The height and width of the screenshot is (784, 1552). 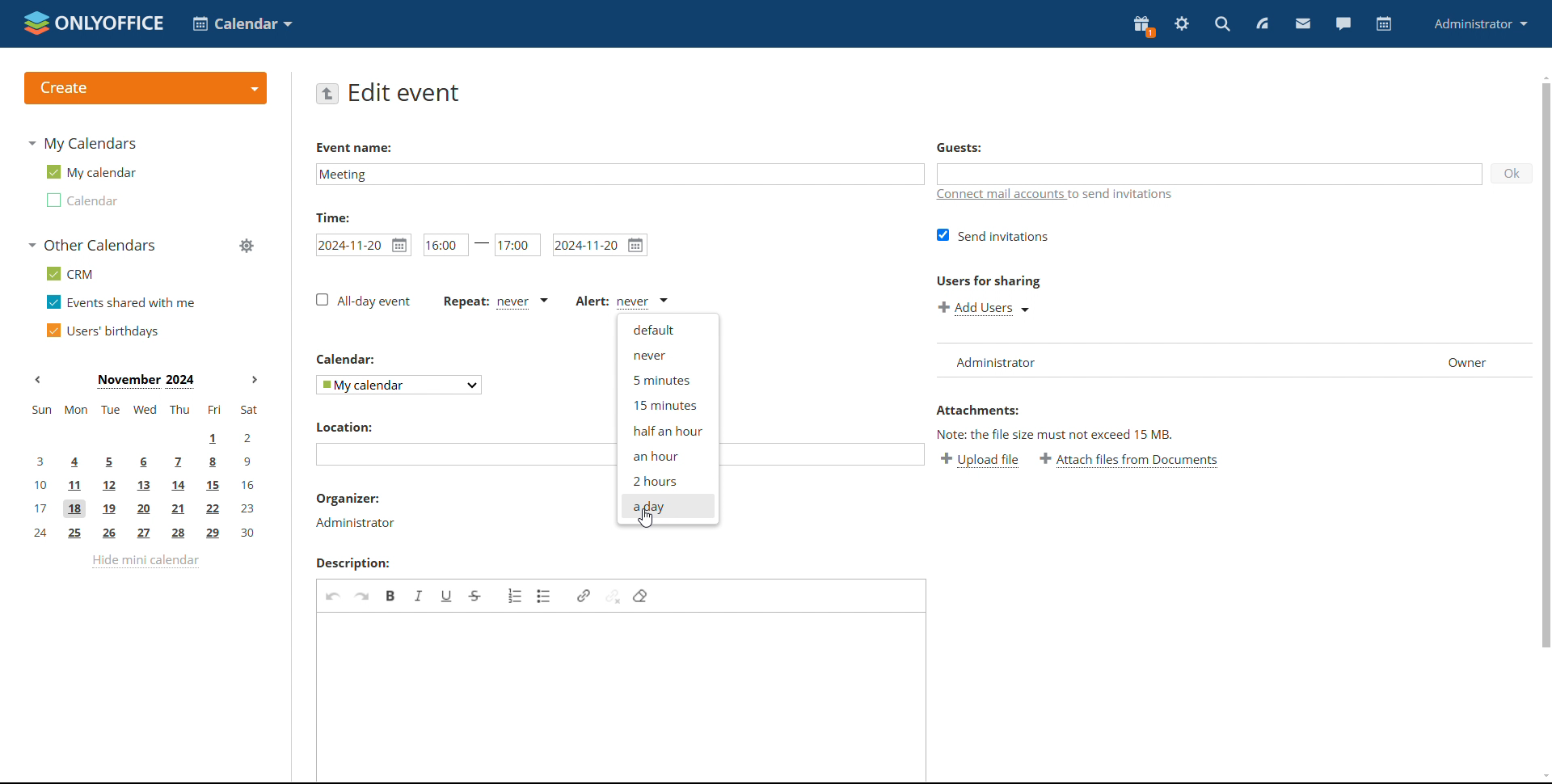 I want to click on users' birthdays , so click(x=102, y=331).